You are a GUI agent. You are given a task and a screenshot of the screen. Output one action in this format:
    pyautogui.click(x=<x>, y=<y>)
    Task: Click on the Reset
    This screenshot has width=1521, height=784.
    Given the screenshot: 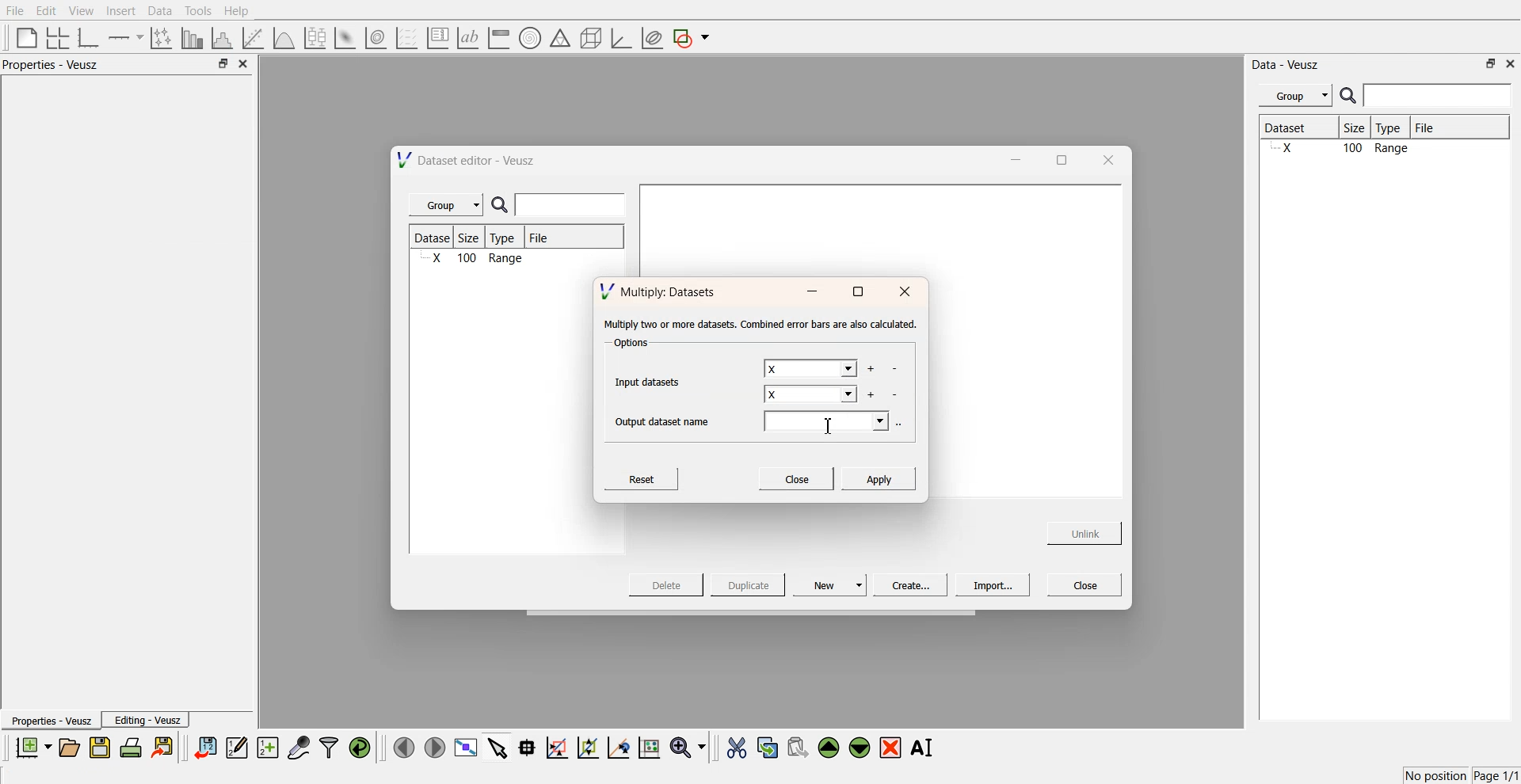 What is the action you would take?
    pyautogui.click(x=644, y=478)
    